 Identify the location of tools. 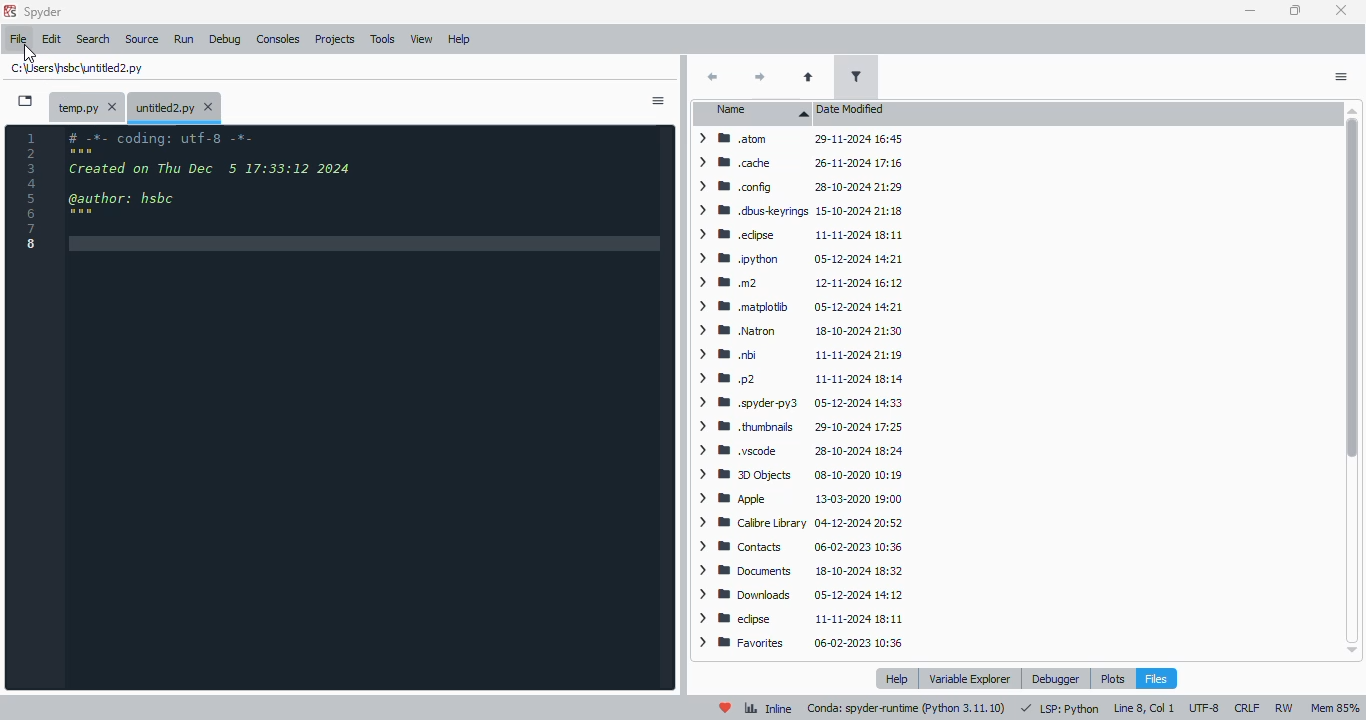
(382, 39).